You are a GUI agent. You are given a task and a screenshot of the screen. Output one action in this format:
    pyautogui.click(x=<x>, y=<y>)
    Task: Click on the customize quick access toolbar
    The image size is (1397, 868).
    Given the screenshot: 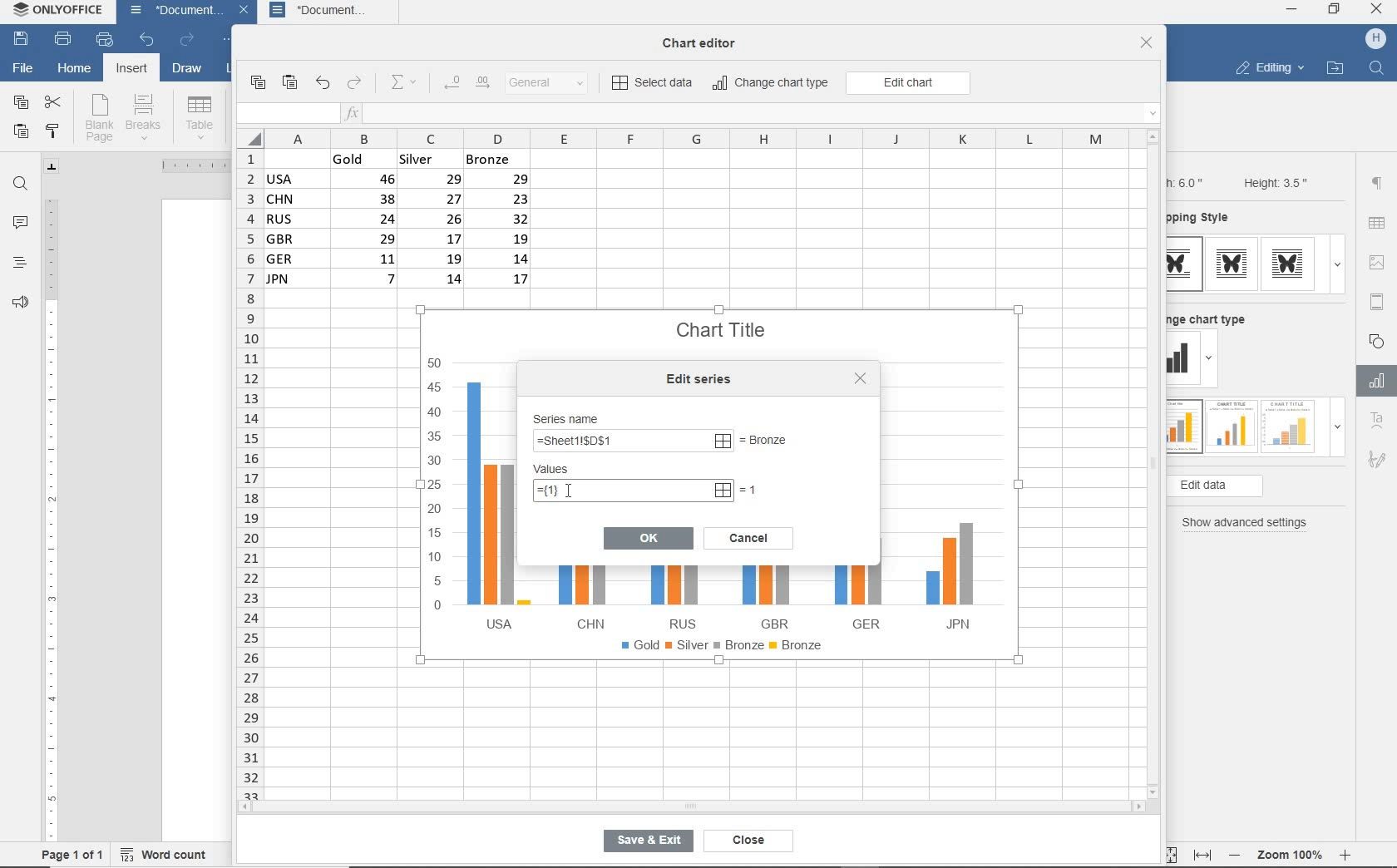 What is the action you would take?
    pyautogui.click(x=230, y=42)
    